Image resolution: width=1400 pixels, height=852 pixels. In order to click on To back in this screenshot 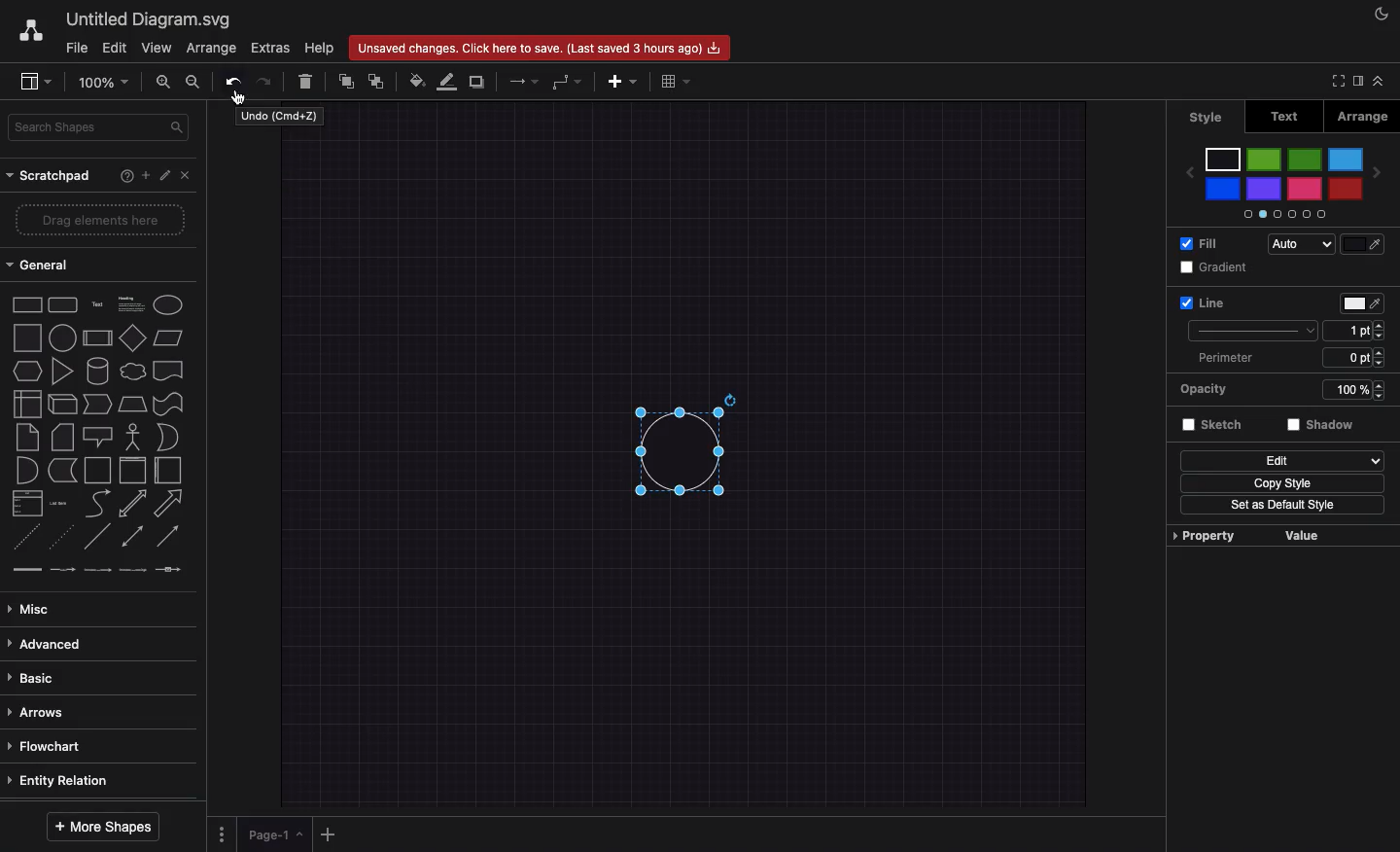, I will do `click(379, 81)`.